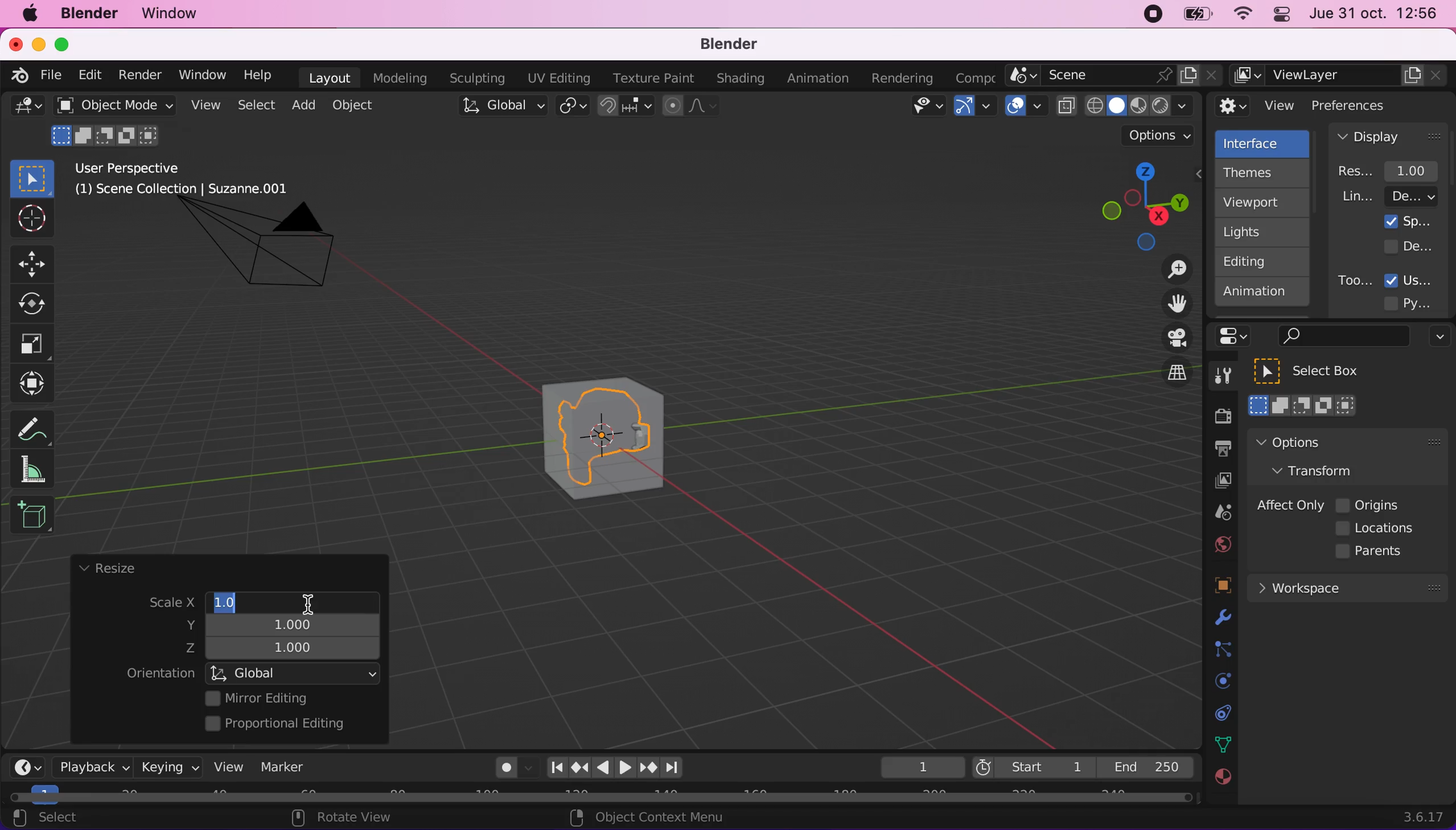  What do you see at coordinates (190, 180) in the screenshot?
I see `user perspective (1) scene collection | suzzane.001` at bounding box center [190, 180].